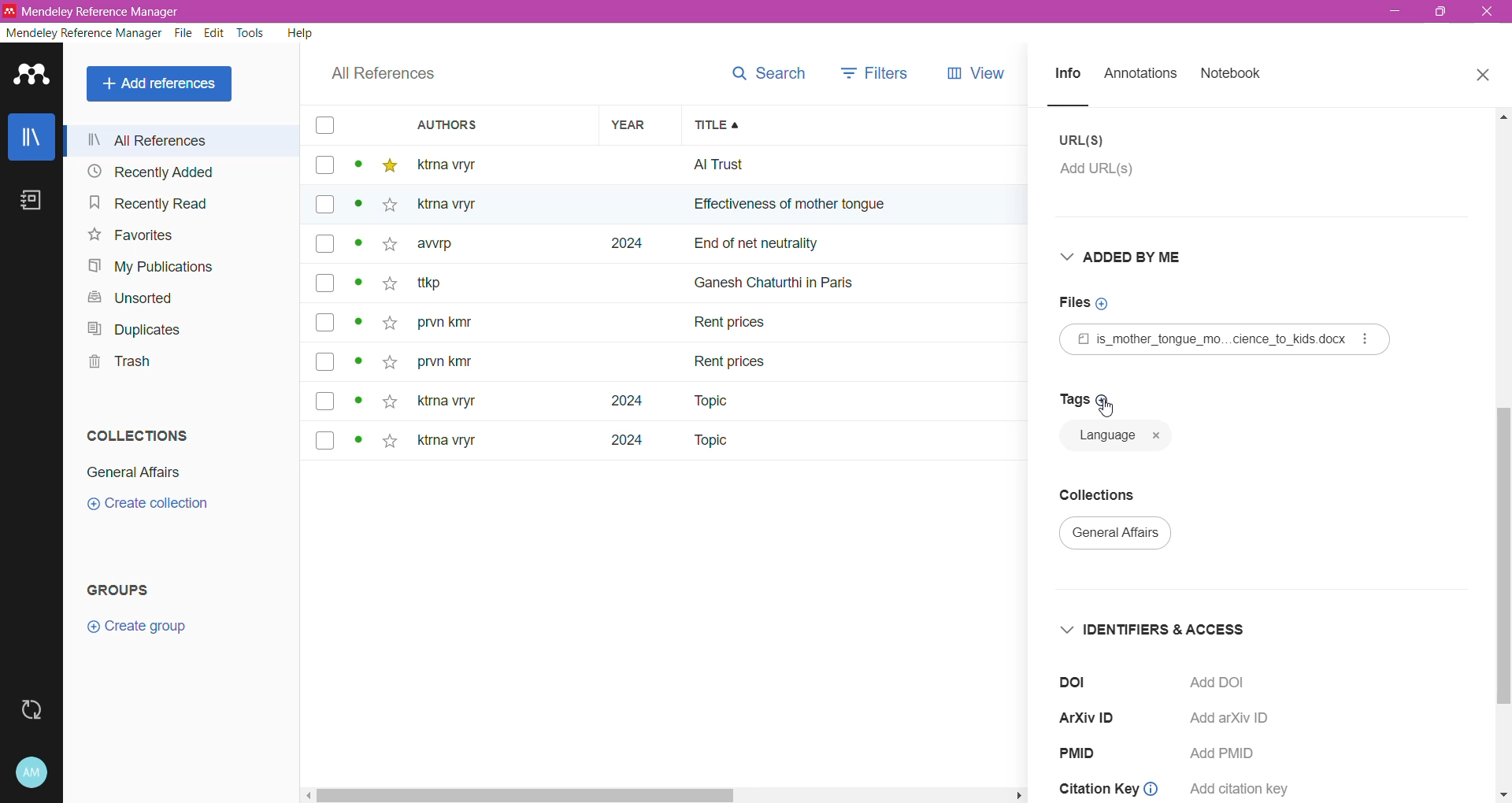 This screenshot has height=803, width=1512. What do you see at coordinates (617, 446) in the screenshot?
I see `2024` at bounding box center [617, 446].